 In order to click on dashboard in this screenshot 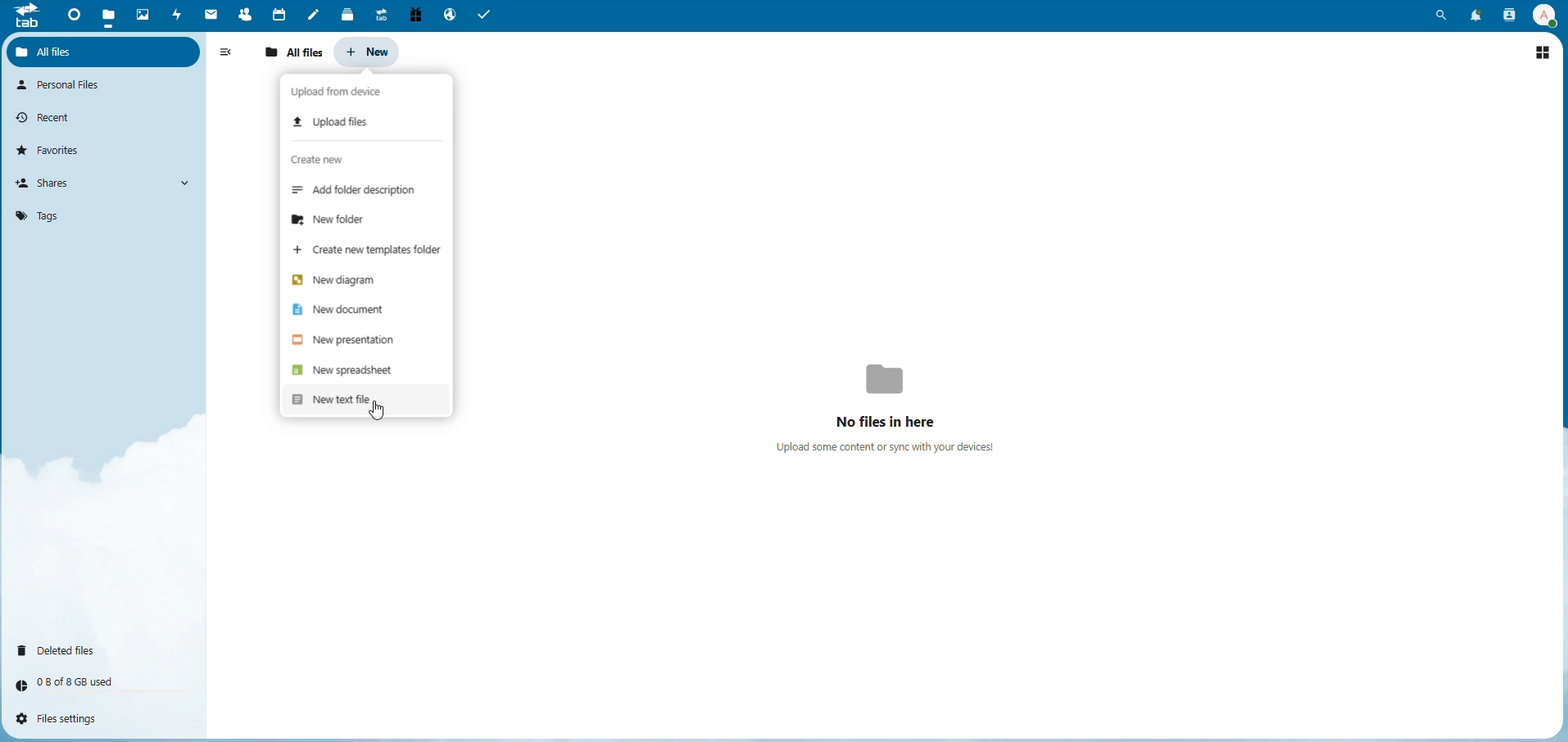, I will do `click(70, 16)`.